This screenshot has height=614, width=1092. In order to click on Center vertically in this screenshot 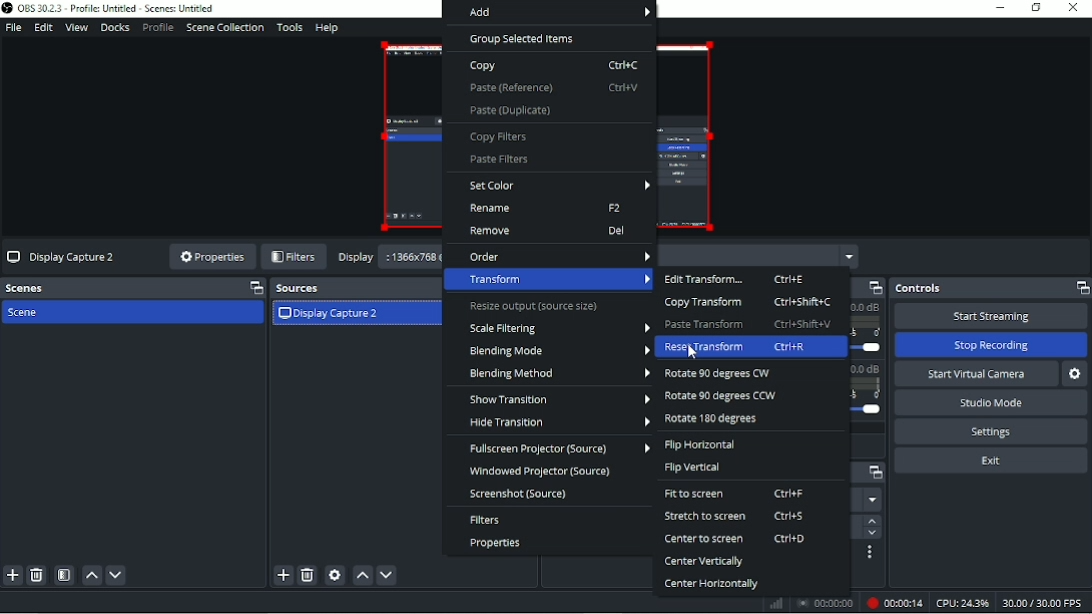, I will do `click(704, 563)`.